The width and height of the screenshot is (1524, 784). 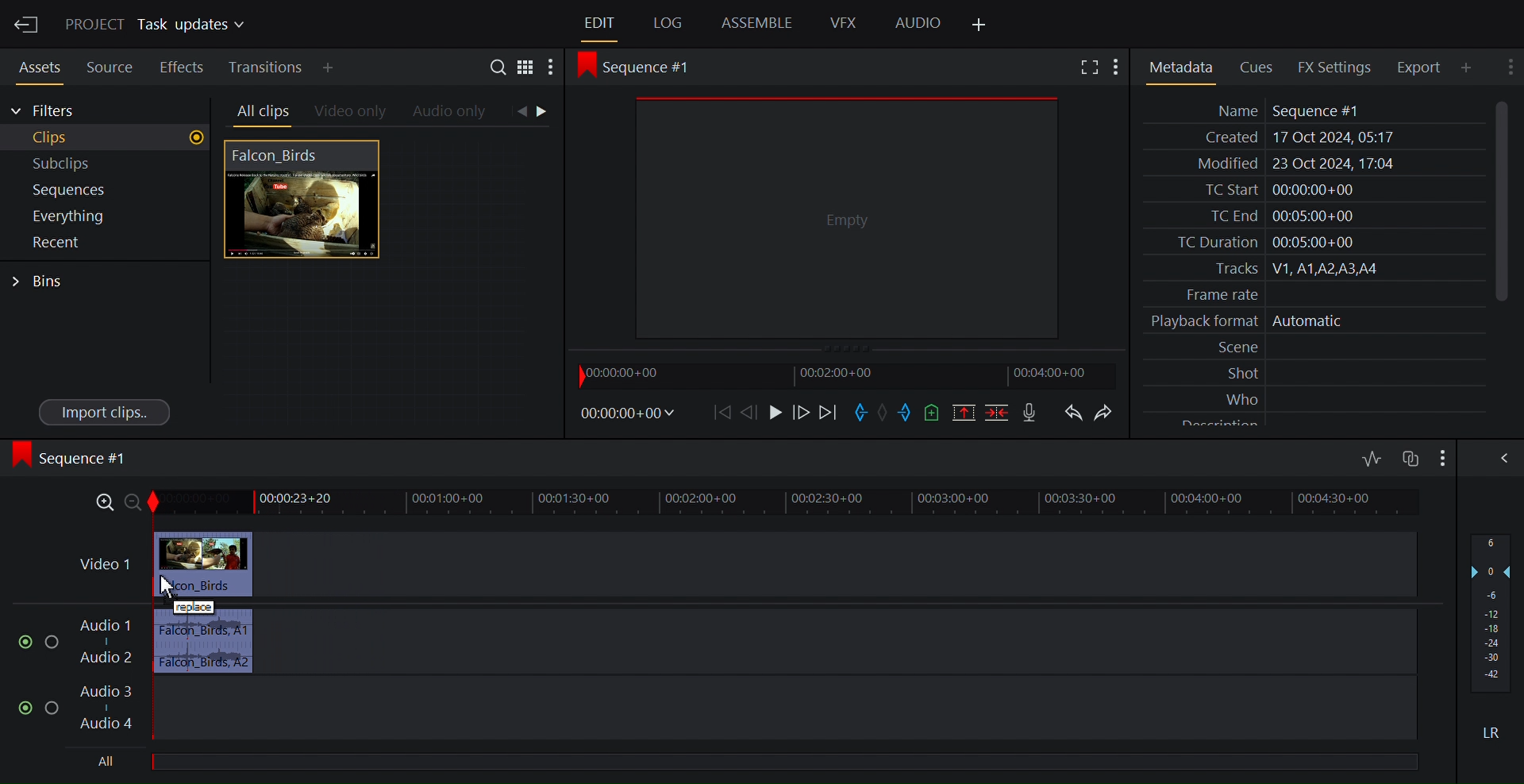 What do you see at coordinates (829, 413) in the screenshot?
I see `Move forward` at bounding box center [829, 413].